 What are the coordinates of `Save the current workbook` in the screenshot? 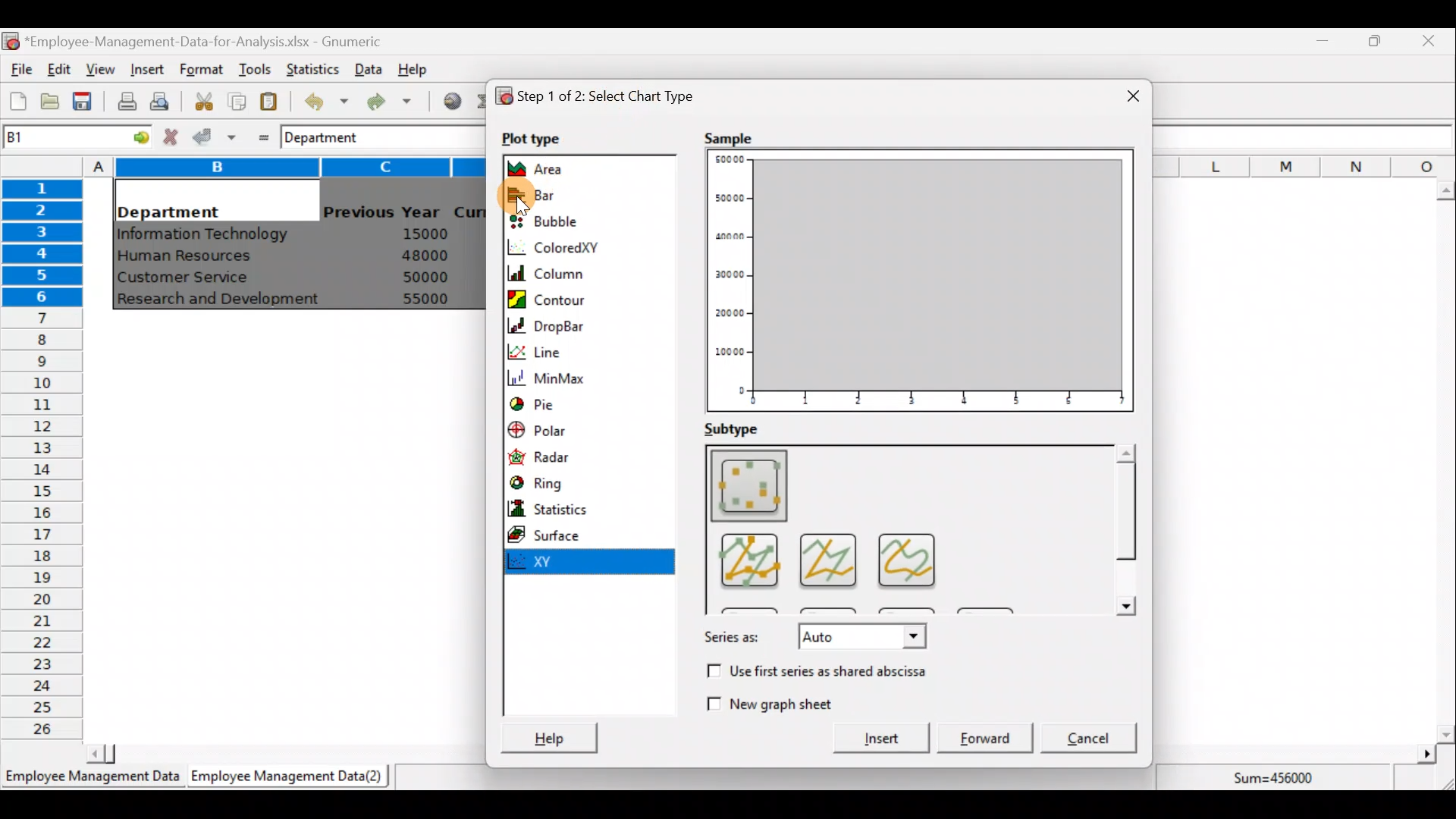 It's located at (87, 104).